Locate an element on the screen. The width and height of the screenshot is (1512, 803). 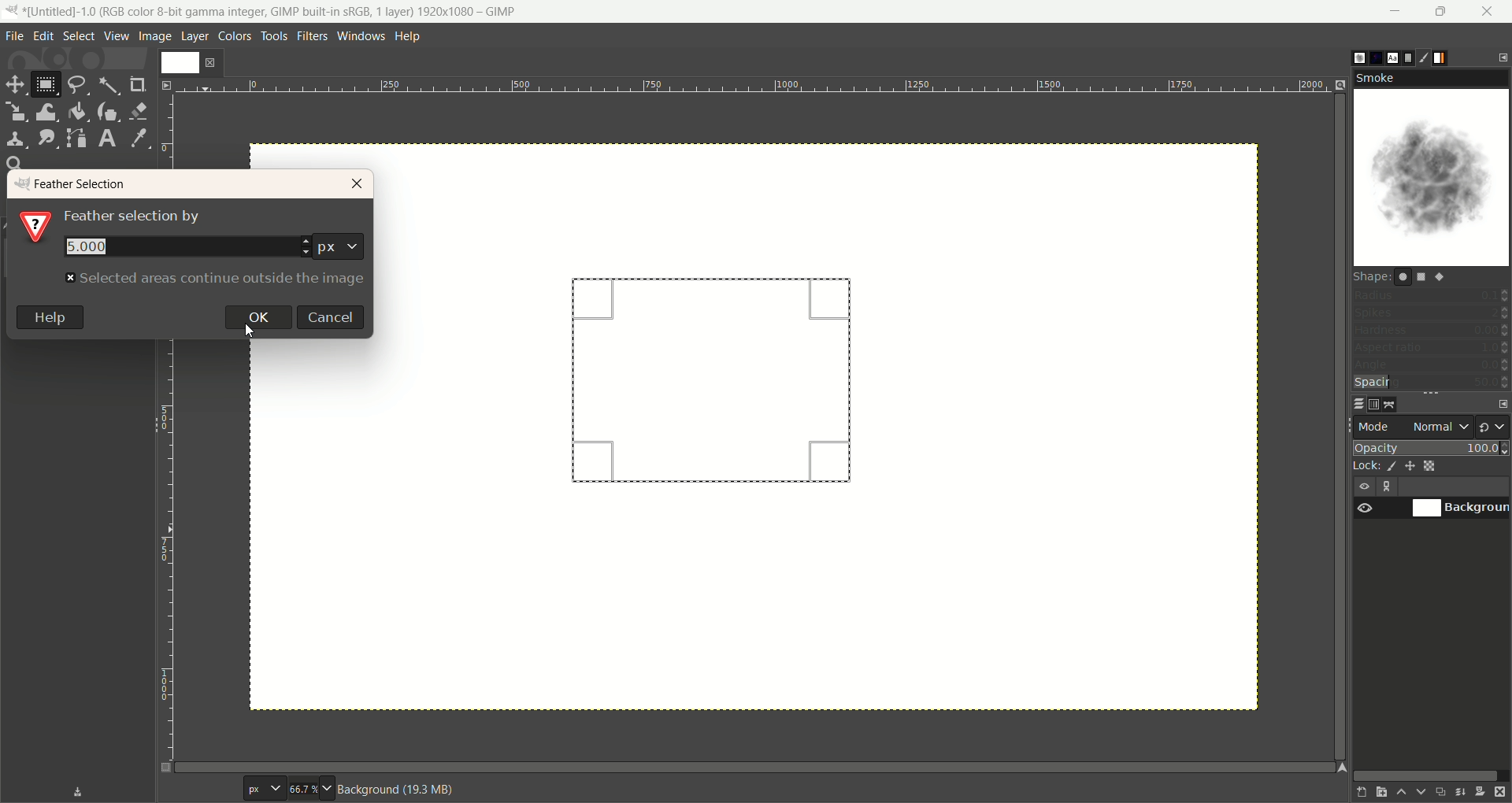
windows is located at coordinates (360, 35).